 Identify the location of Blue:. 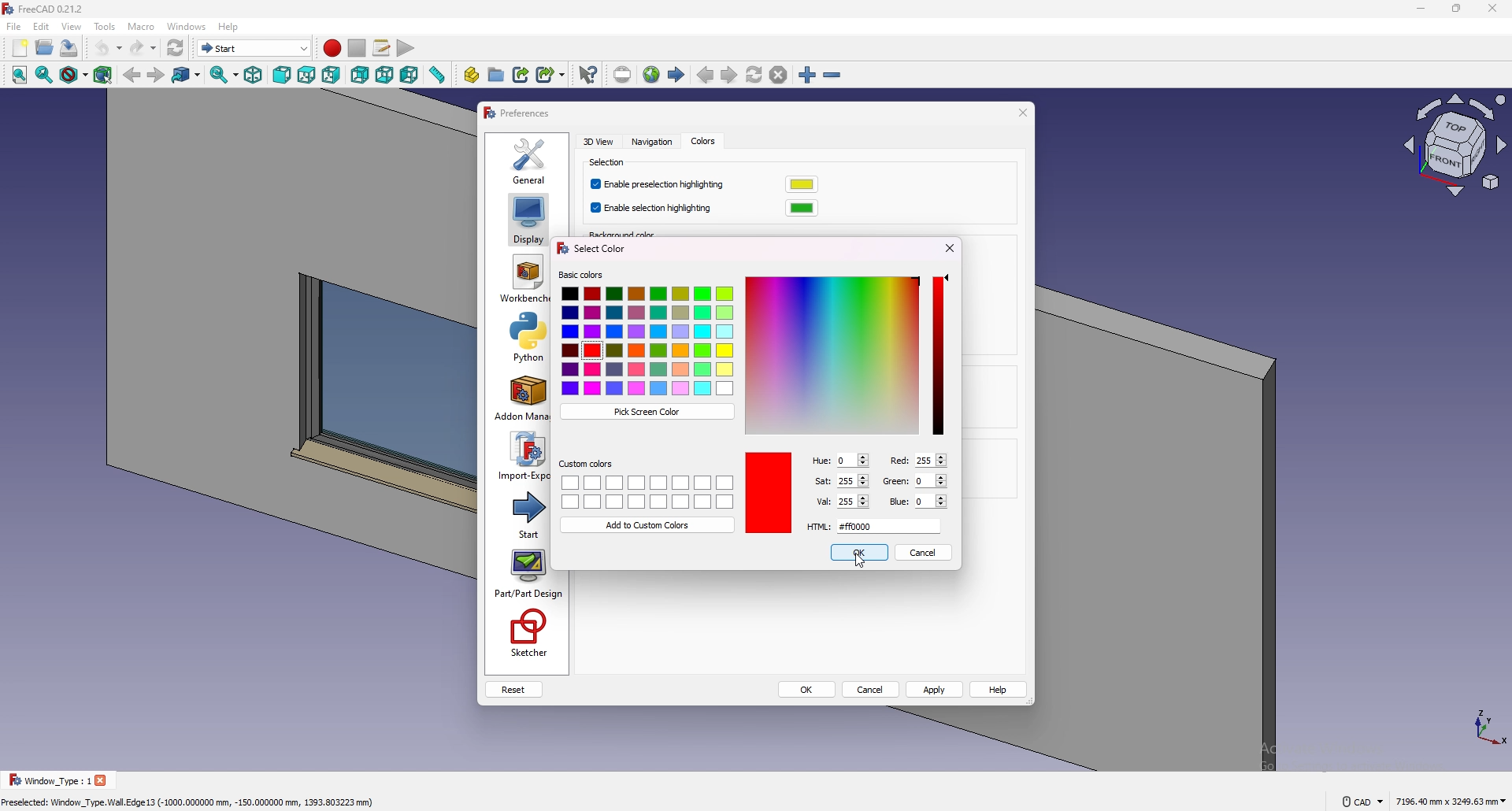
(898, 502).